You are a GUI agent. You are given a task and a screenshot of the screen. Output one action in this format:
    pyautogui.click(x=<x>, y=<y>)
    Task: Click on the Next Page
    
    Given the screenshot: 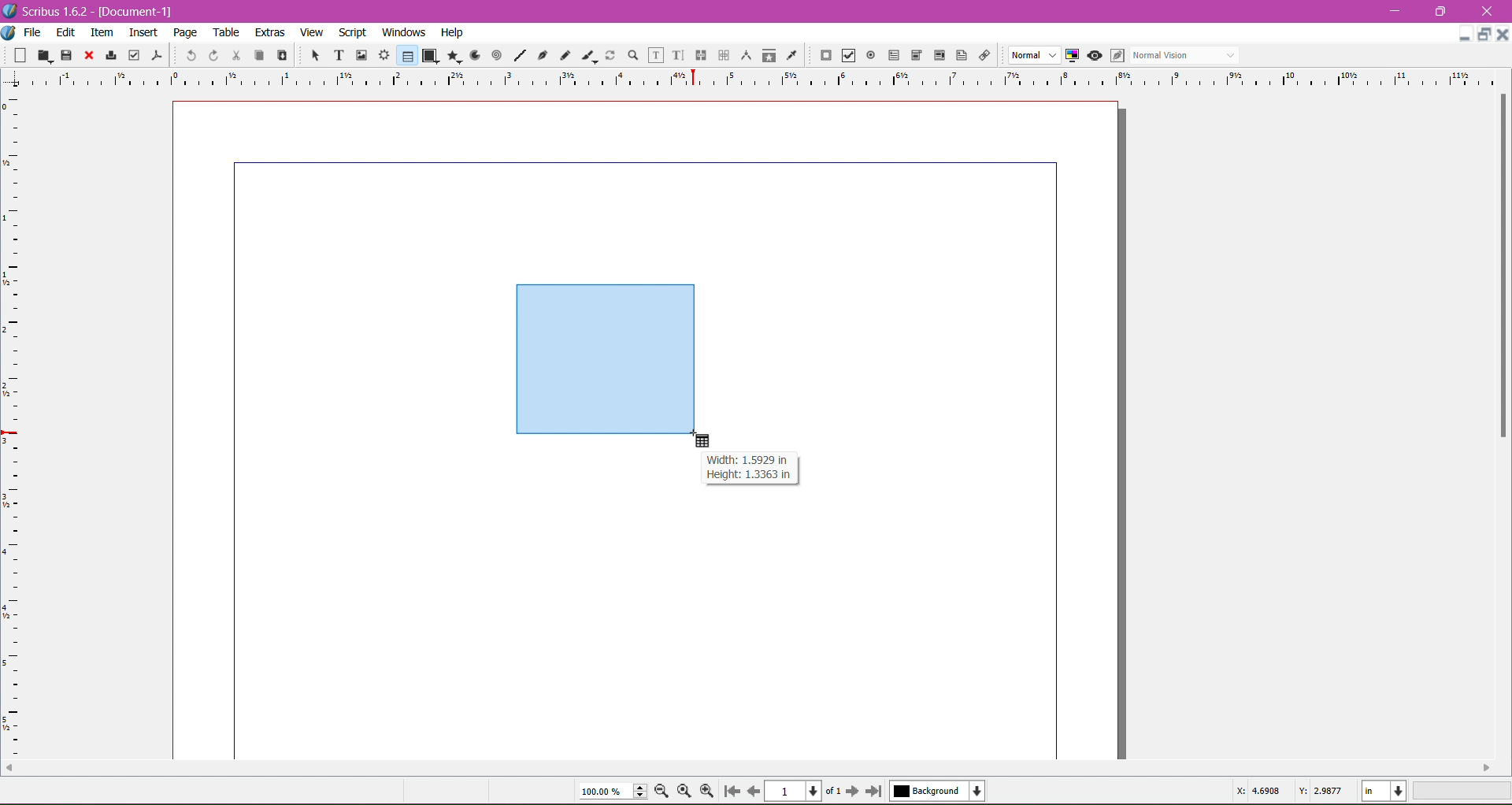 What is the action you would take?
    pyautogui.click(x=854, y=790)
    